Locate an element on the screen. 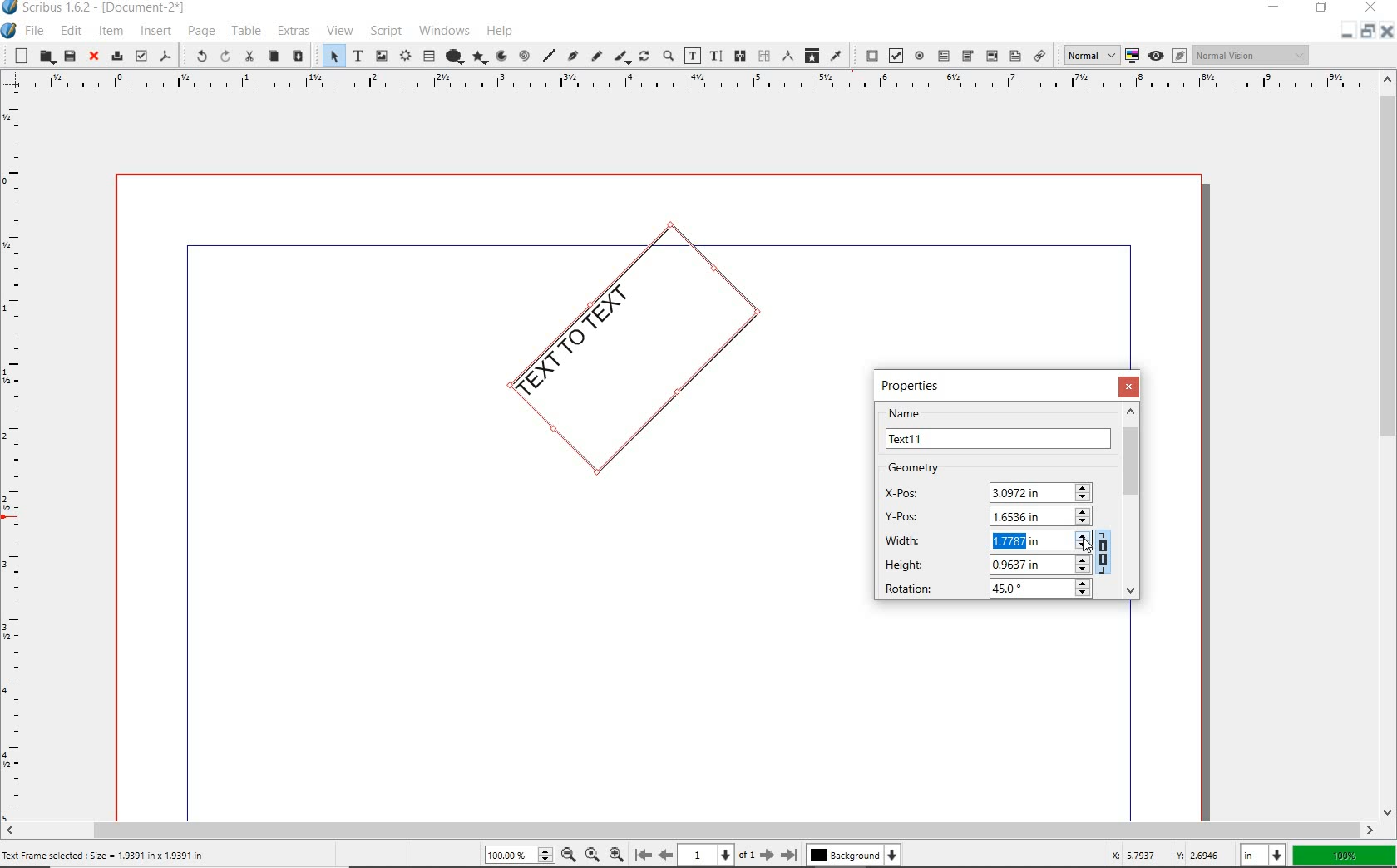  edit is located at coordinates (72, 31).